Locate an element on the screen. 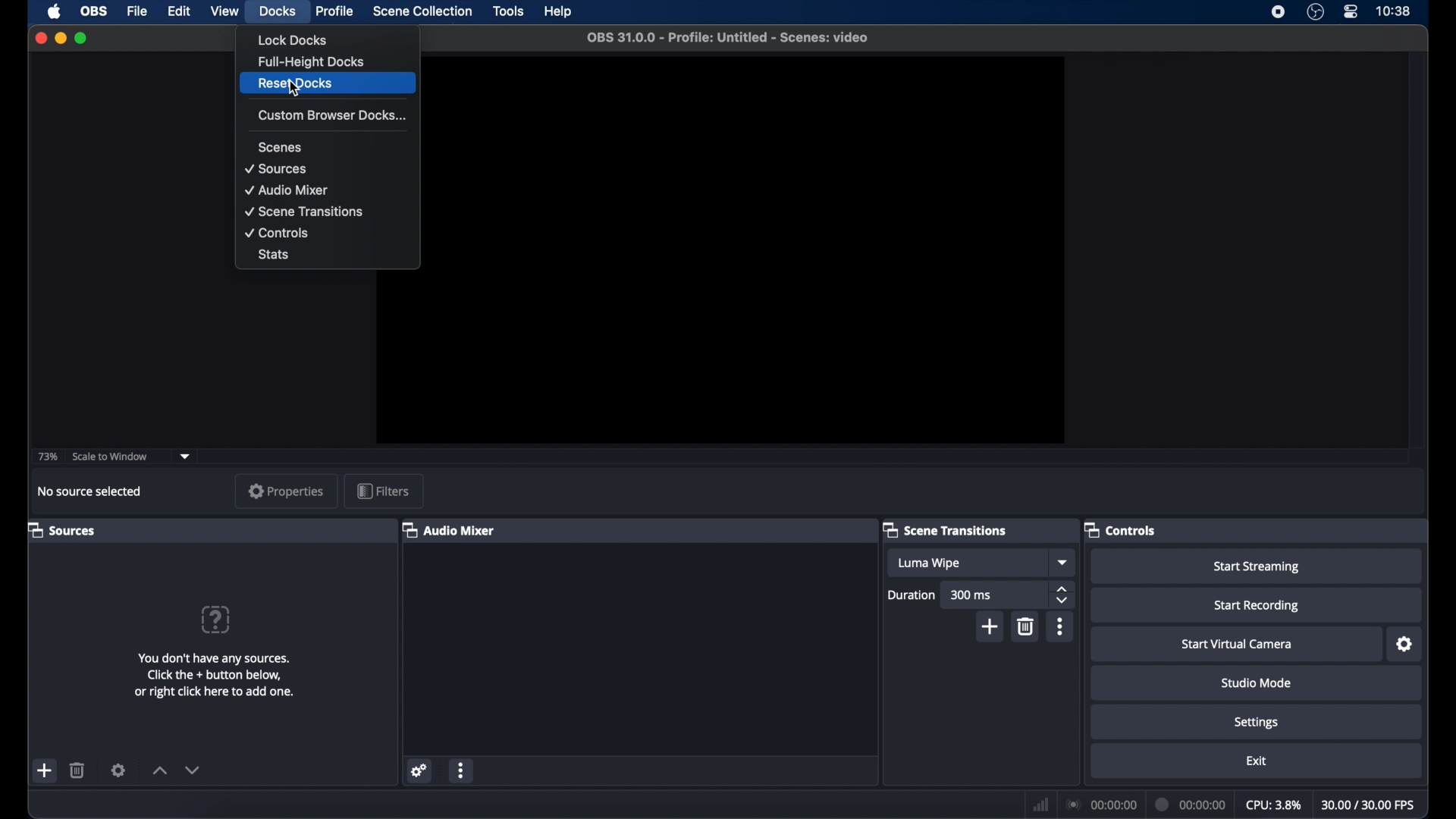  docks is located at coordinates (278, 12).